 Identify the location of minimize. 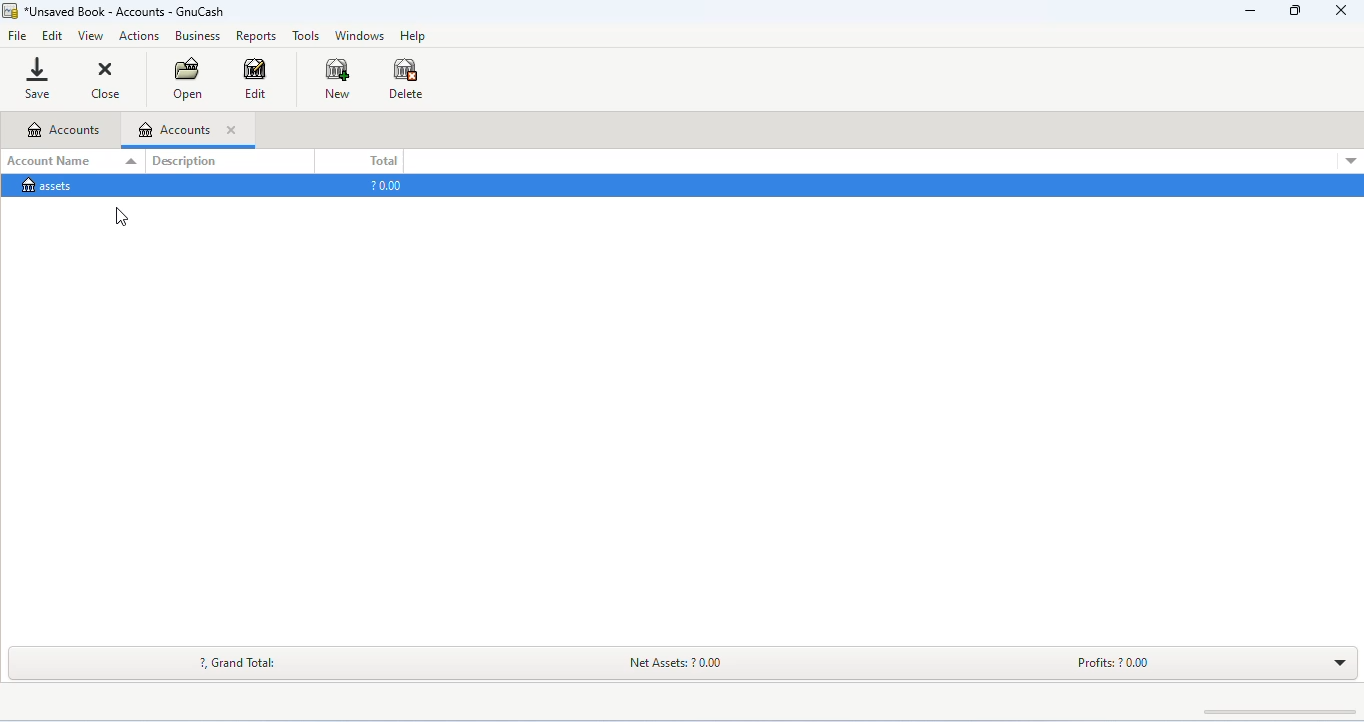
(1251, 13).